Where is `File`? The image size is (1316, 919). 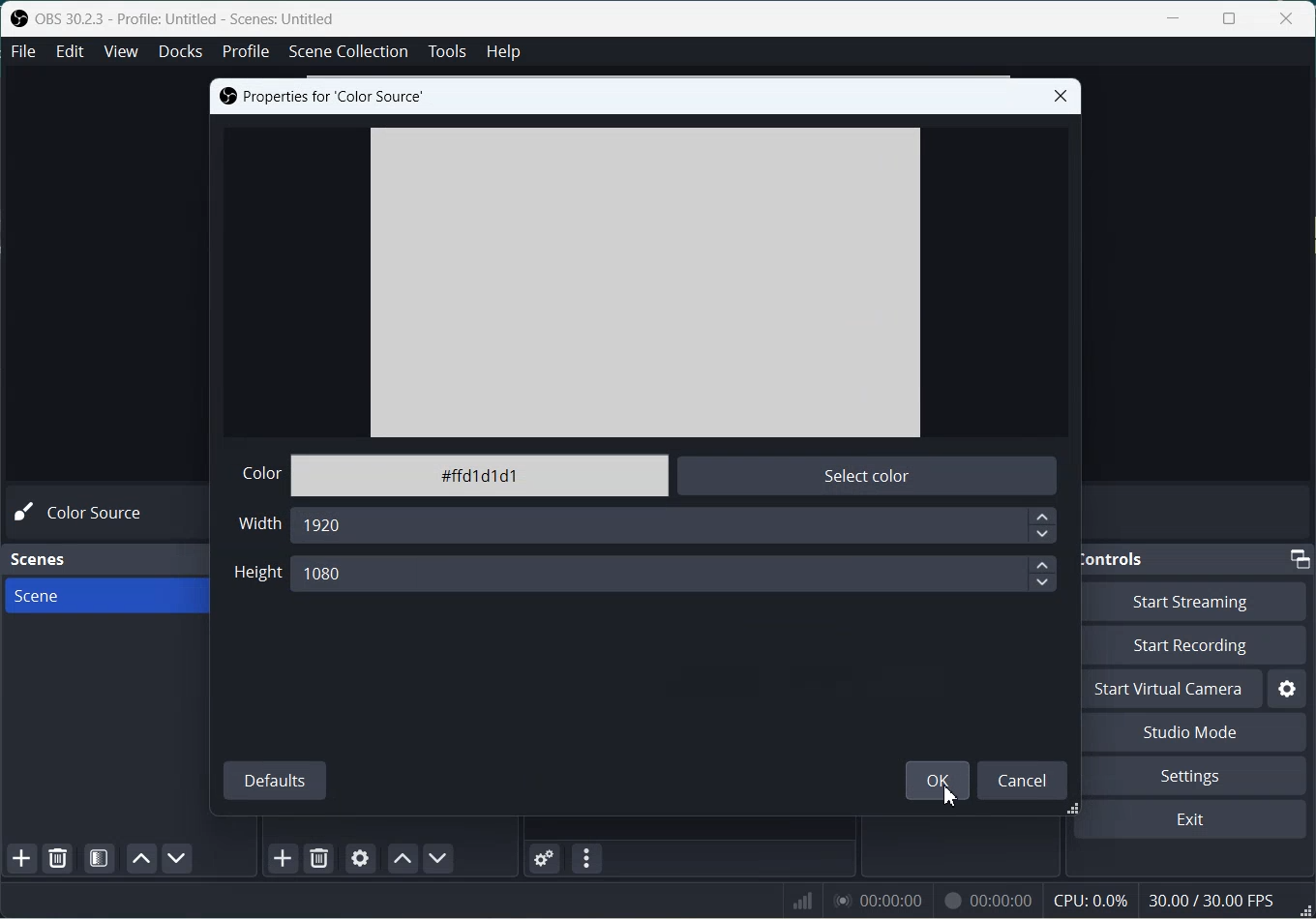
File is located at coordinates (20, 51).